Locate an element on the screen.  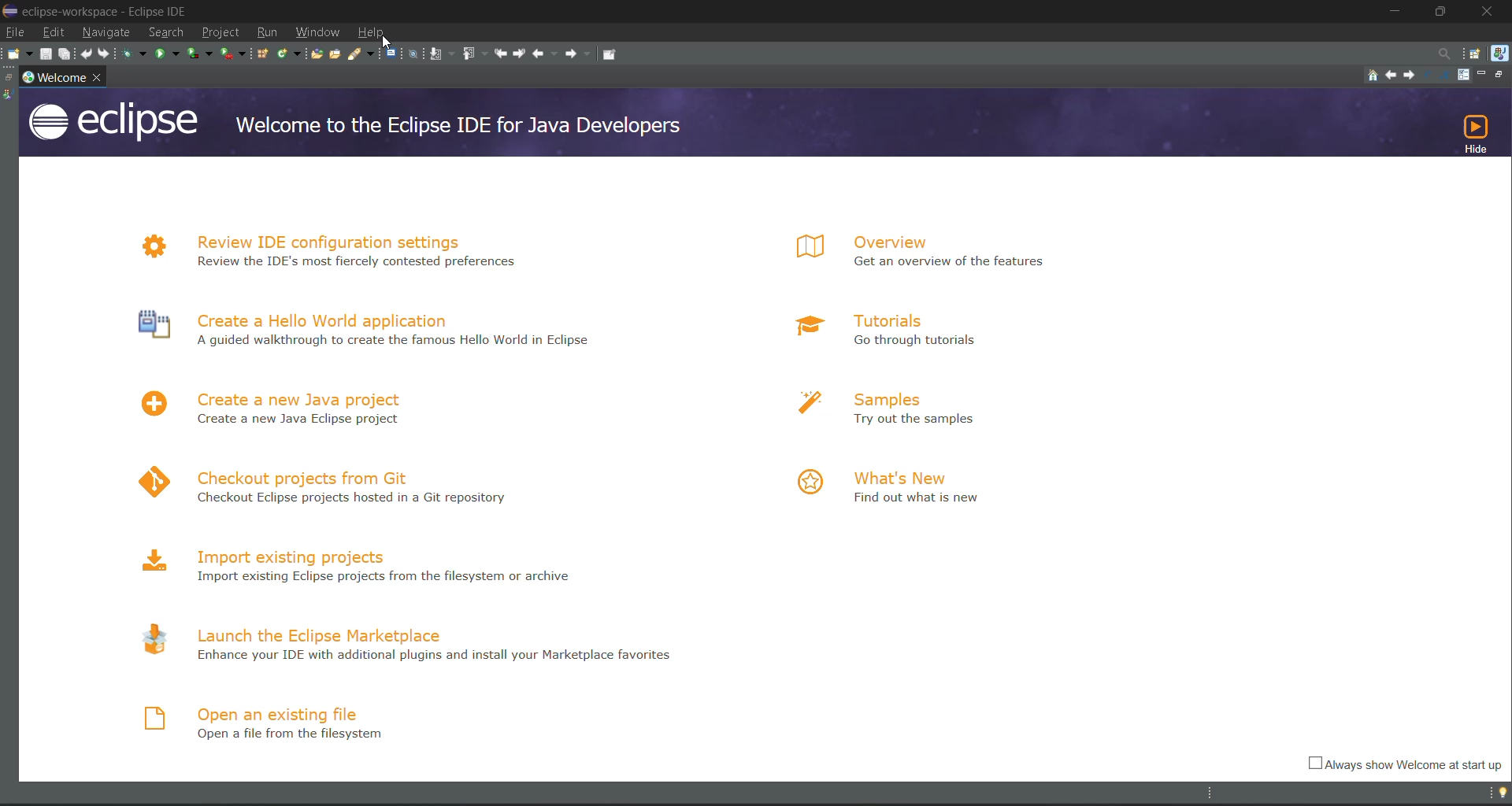
open perspective is located at coordinates (1477, 54).